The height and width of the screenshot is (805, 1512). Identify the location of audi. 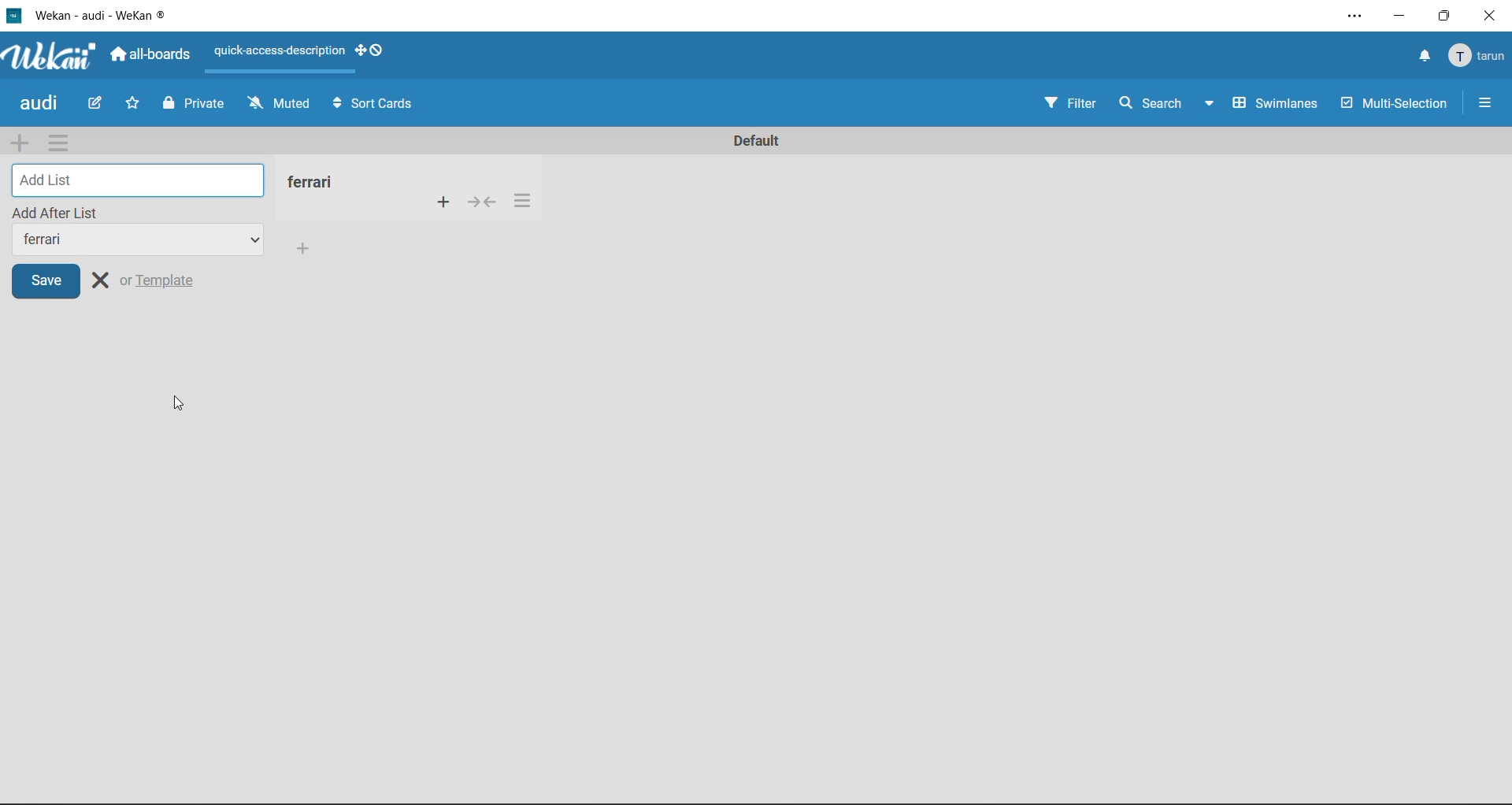
(38, 105).